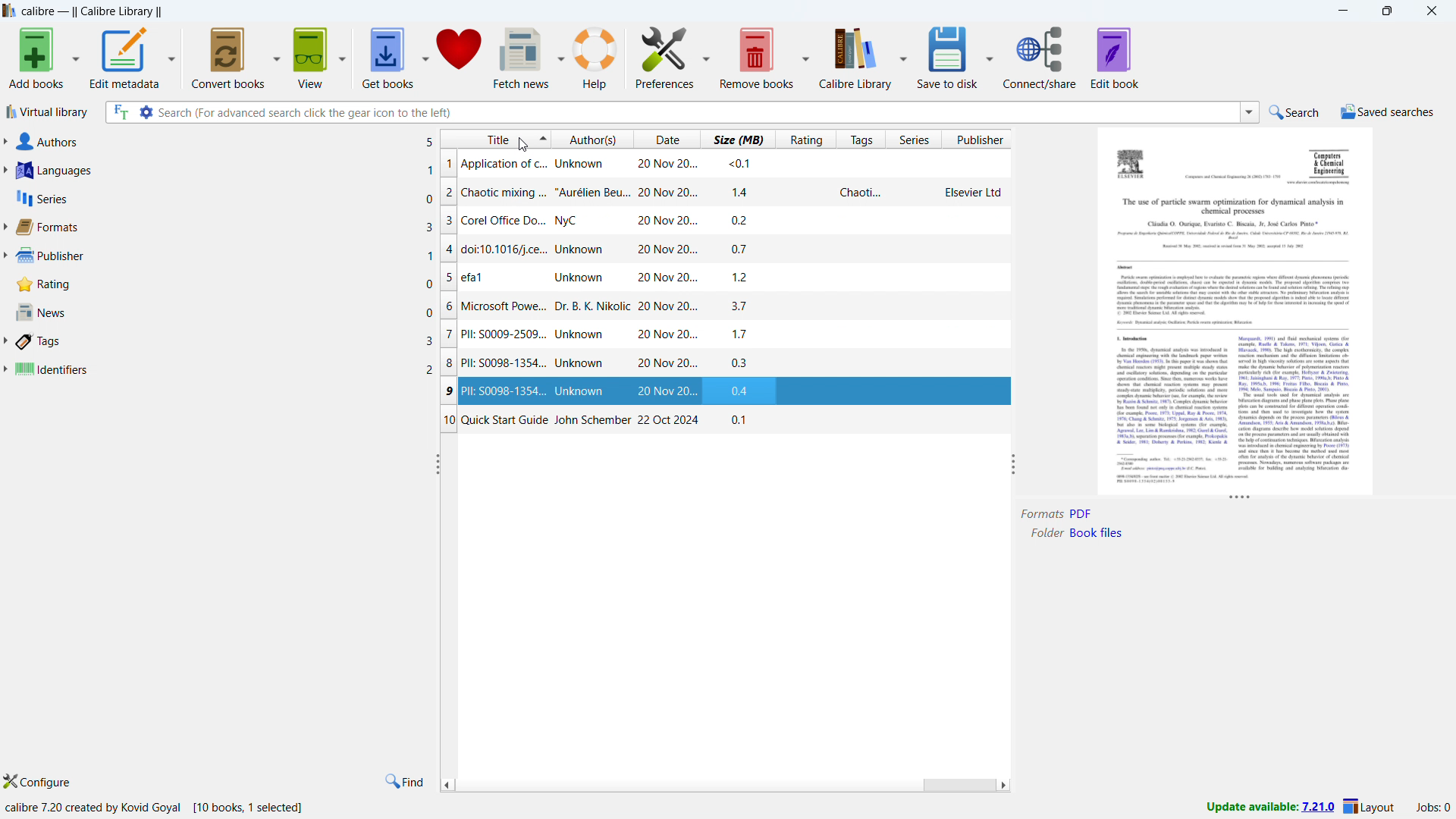 The image size is (1456, 819). I want to click on PII: S0098-1354... Unknown 20 Nov 20..., so click(585, 390).